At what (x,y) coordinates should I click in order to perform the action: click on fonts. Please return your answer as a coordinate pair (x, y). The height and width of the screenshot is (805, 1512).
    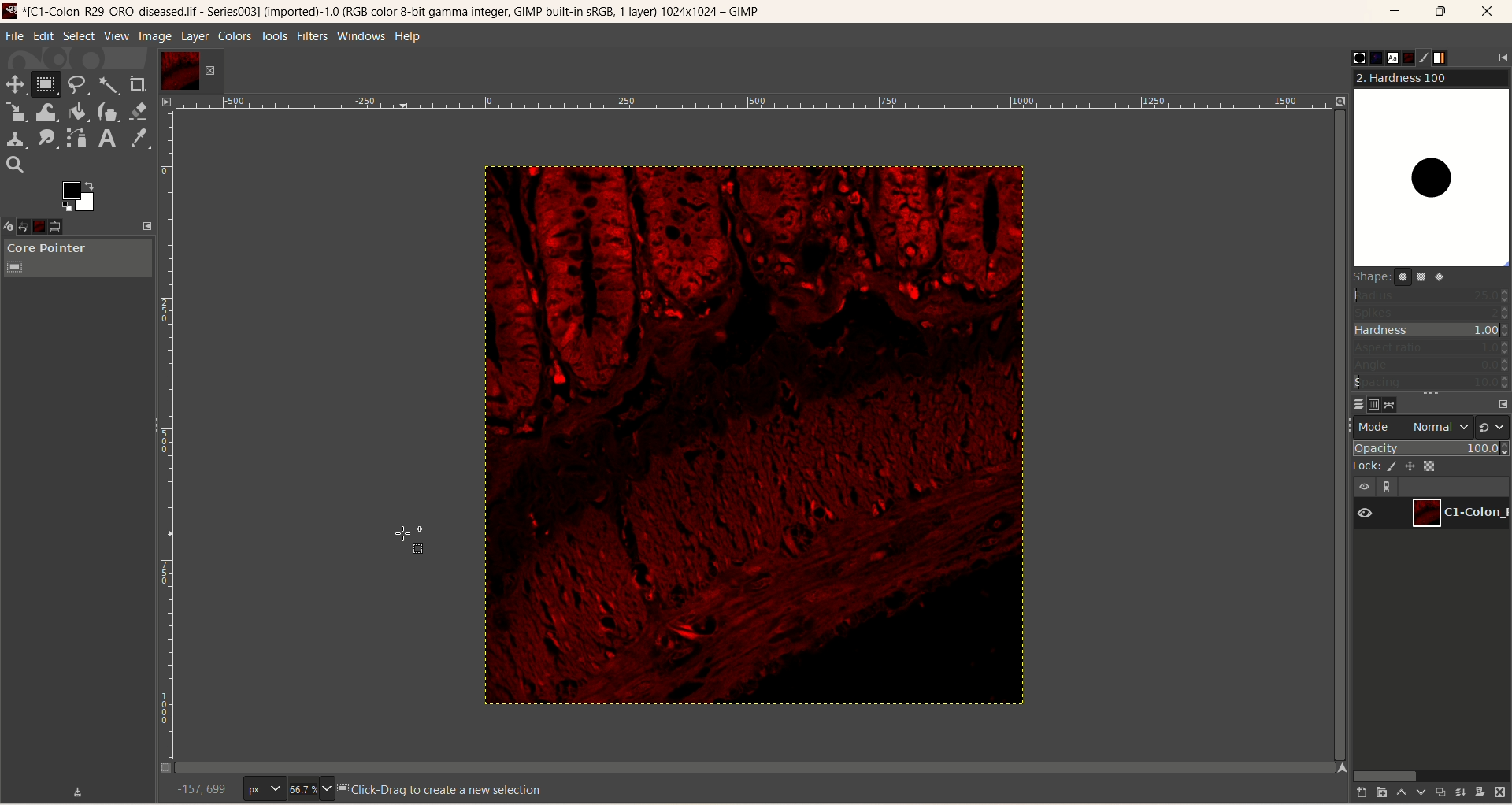
    Looking at the image, I should click on (1386, 57).